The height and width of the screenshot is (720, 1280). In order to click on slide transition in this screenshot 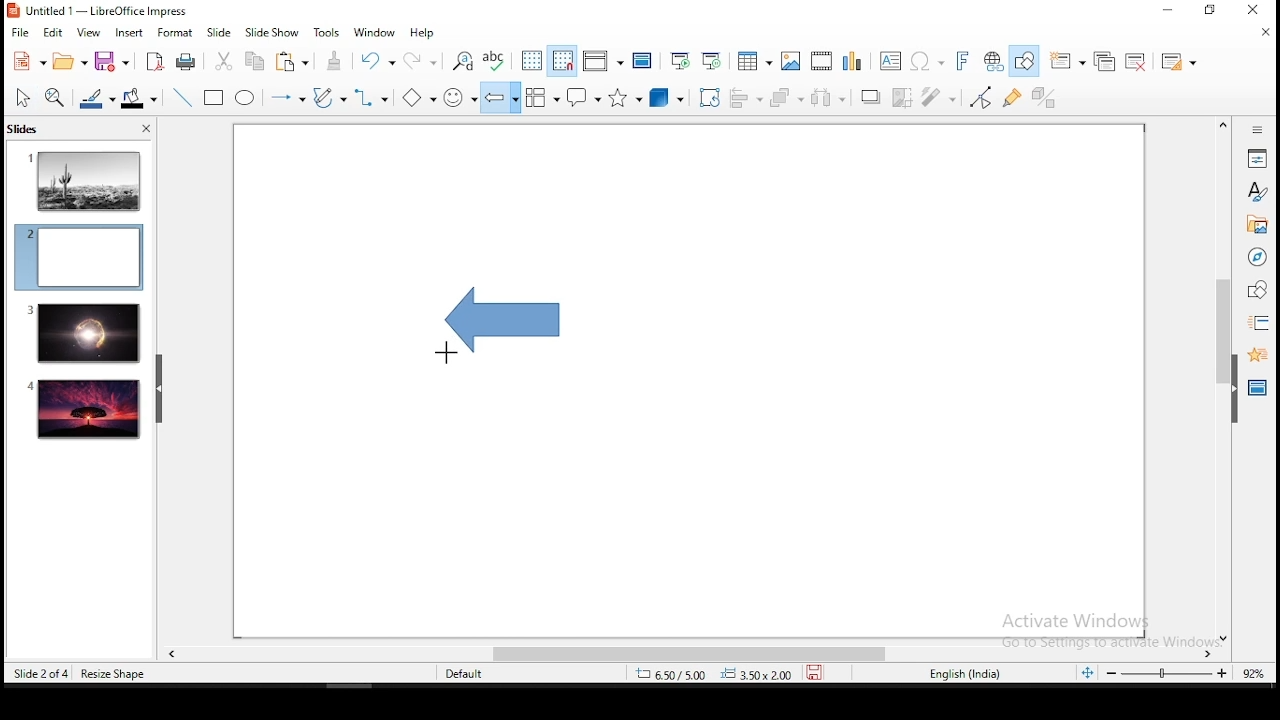, I will do `click(1258, 324)`.